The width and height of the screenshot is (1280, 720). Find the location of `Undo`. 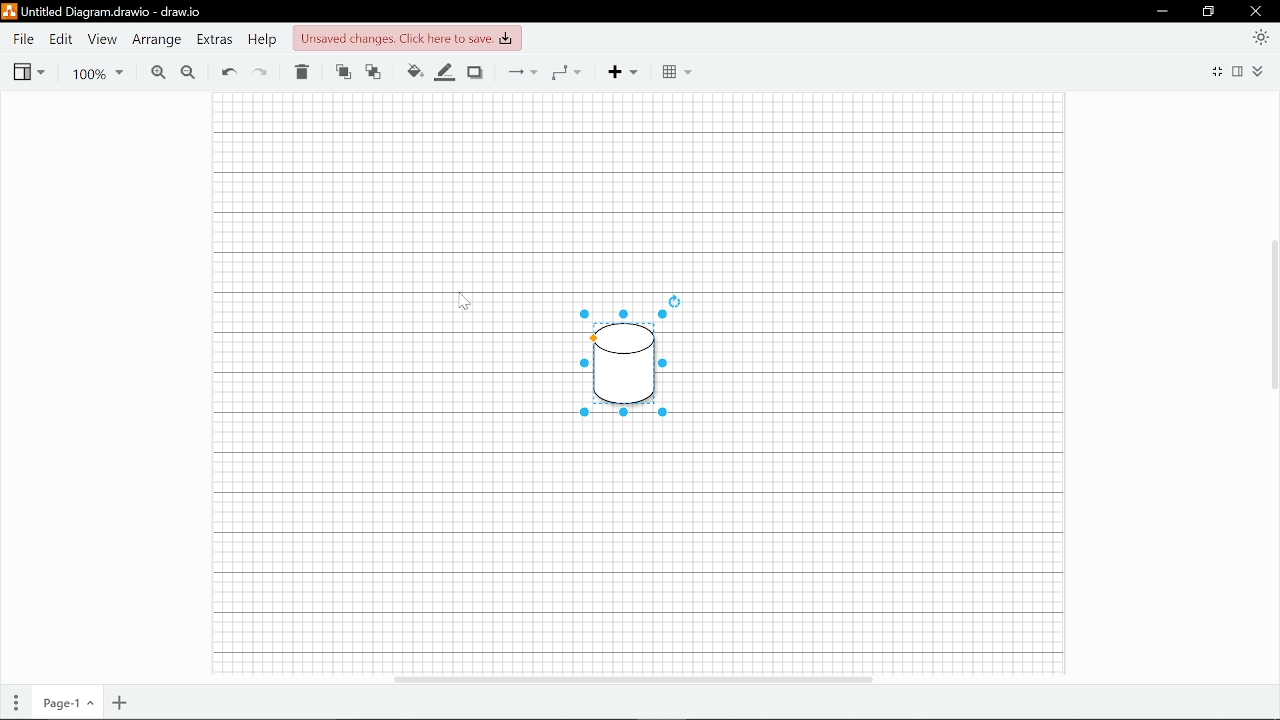

Undo is located at coordinates (229, 72).